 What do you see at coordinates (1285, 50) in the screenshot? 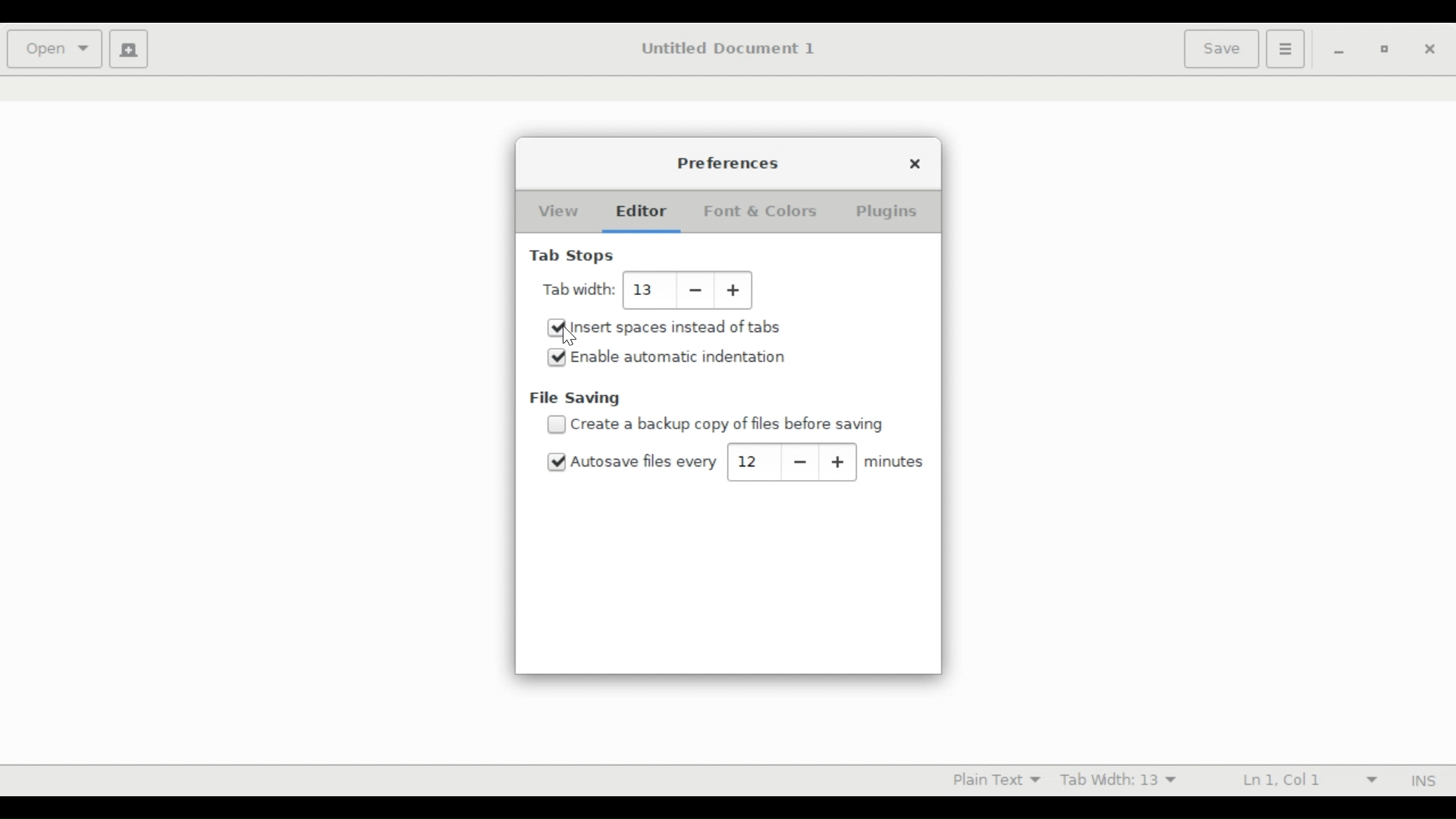
I see `Application menu` at bounding box center [1285, 50].